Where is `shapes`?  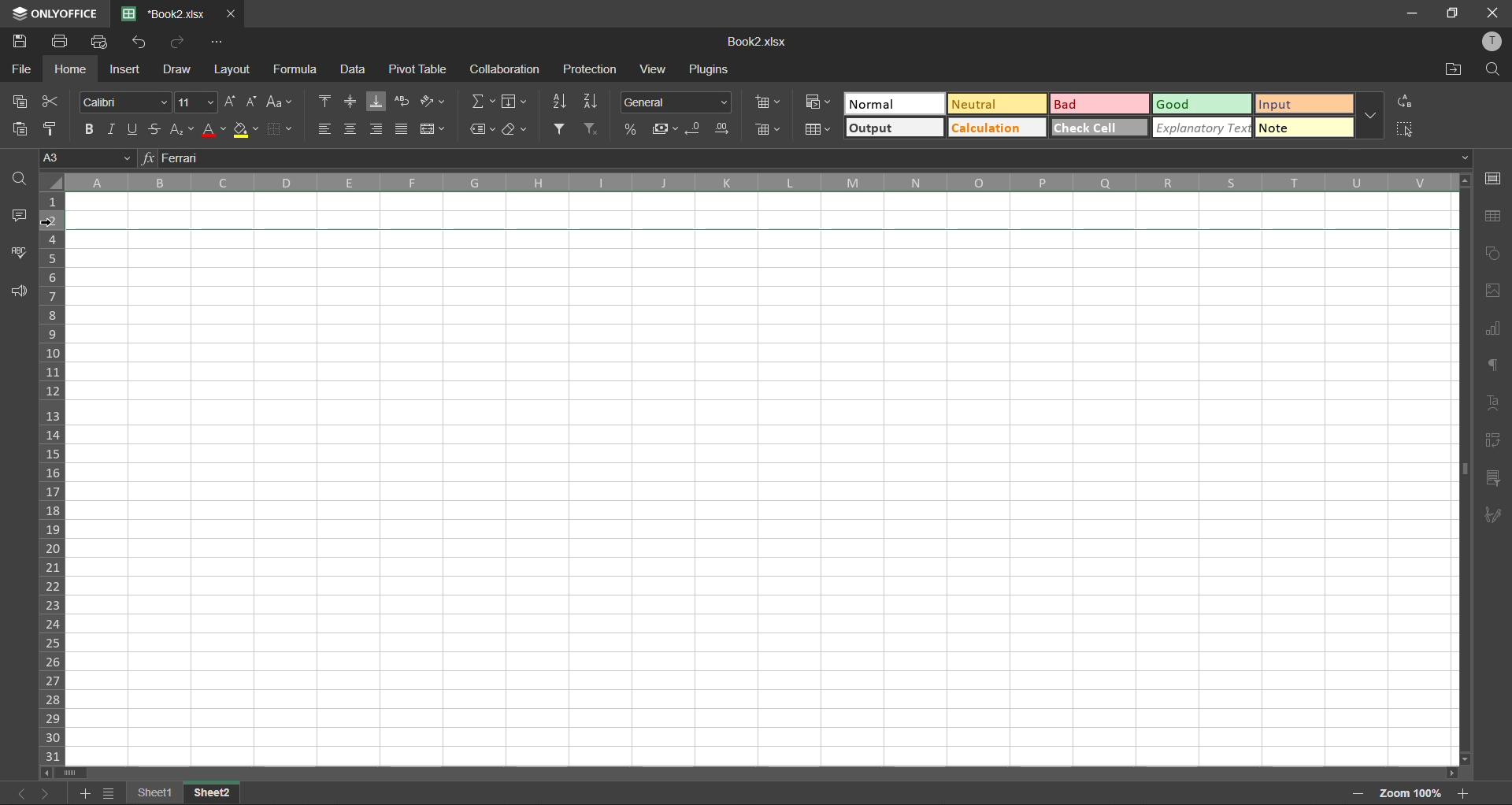 shapes is located at coordinates (1490, 254).